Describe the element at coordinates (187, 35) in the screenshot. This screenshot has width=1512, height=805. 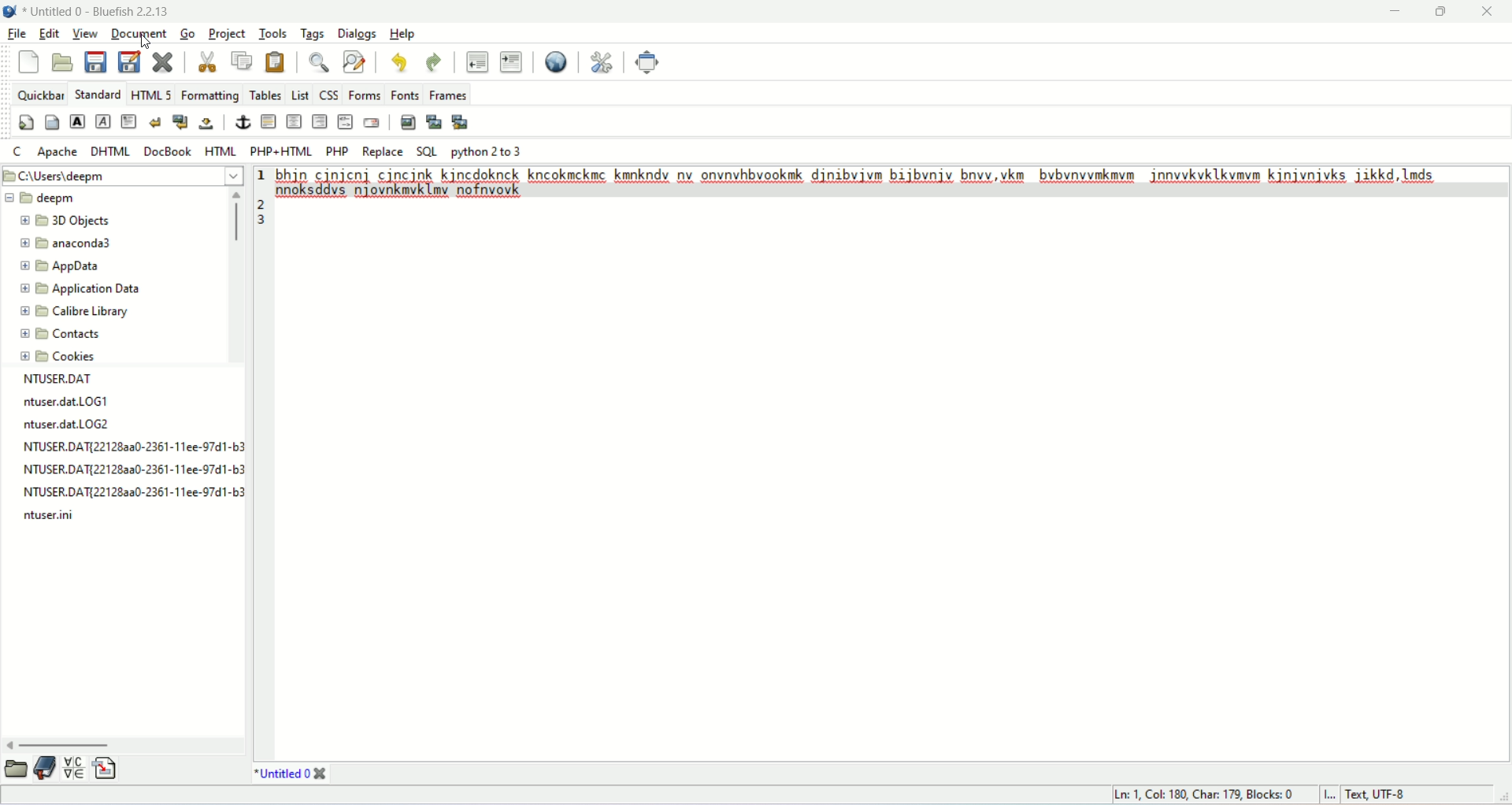
I see `go` at that location.